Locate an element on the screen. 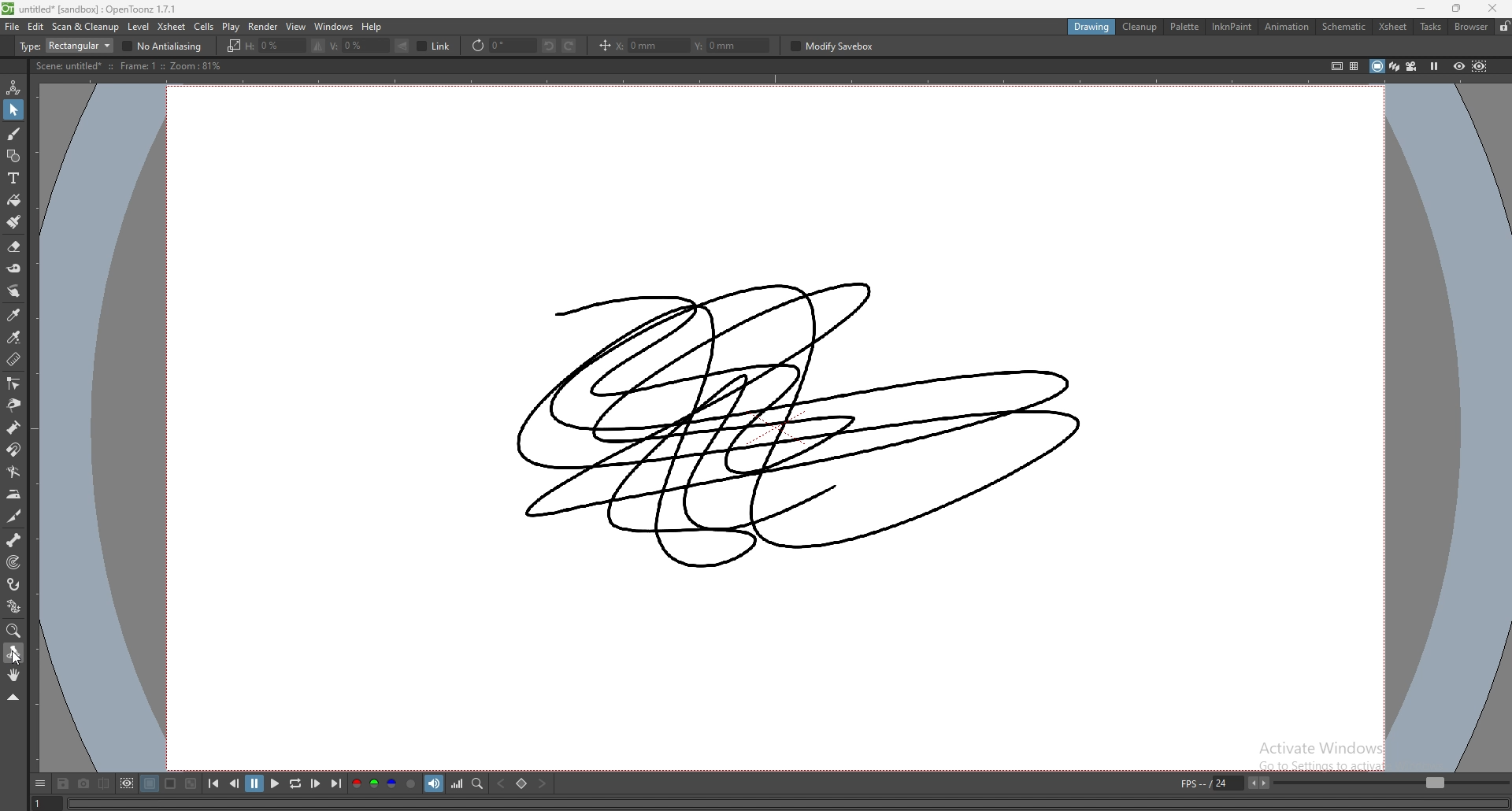 This screenshot has width=1512, height=811. scale is located at coordinates (232, 46).